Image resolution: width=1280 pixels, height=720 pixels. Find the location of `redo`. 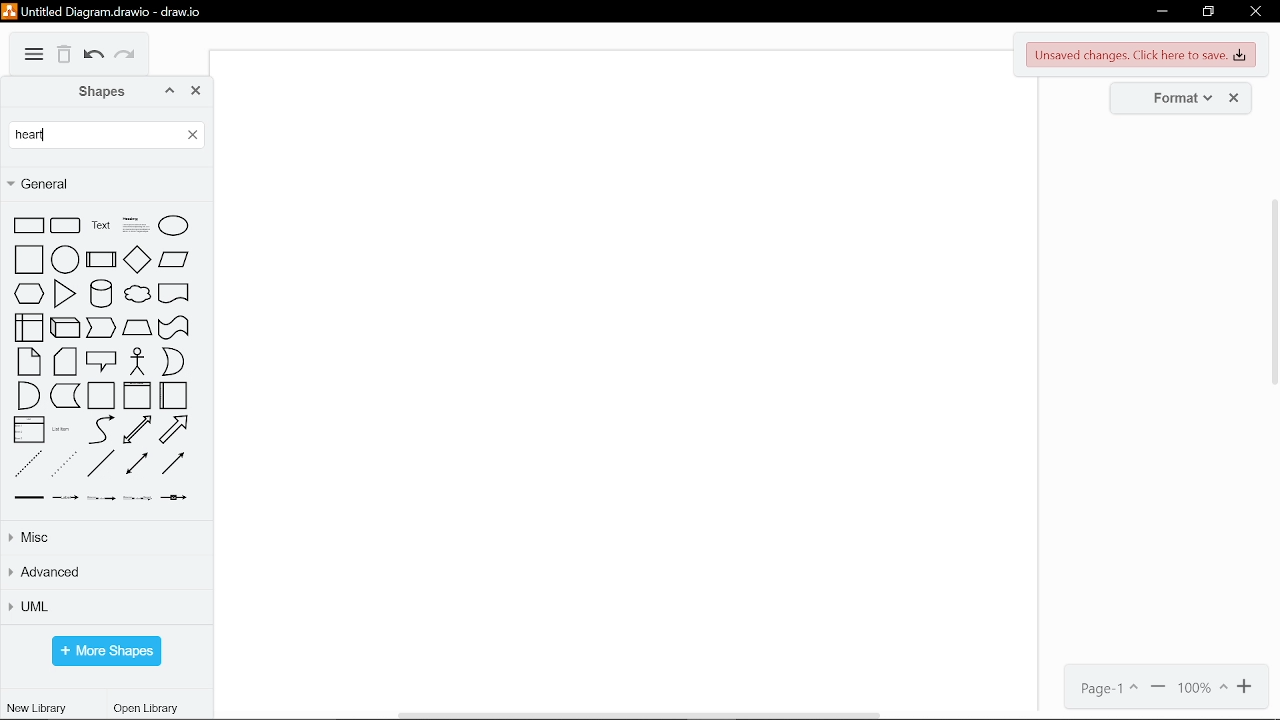

redo is located at coordinates (128, 58).